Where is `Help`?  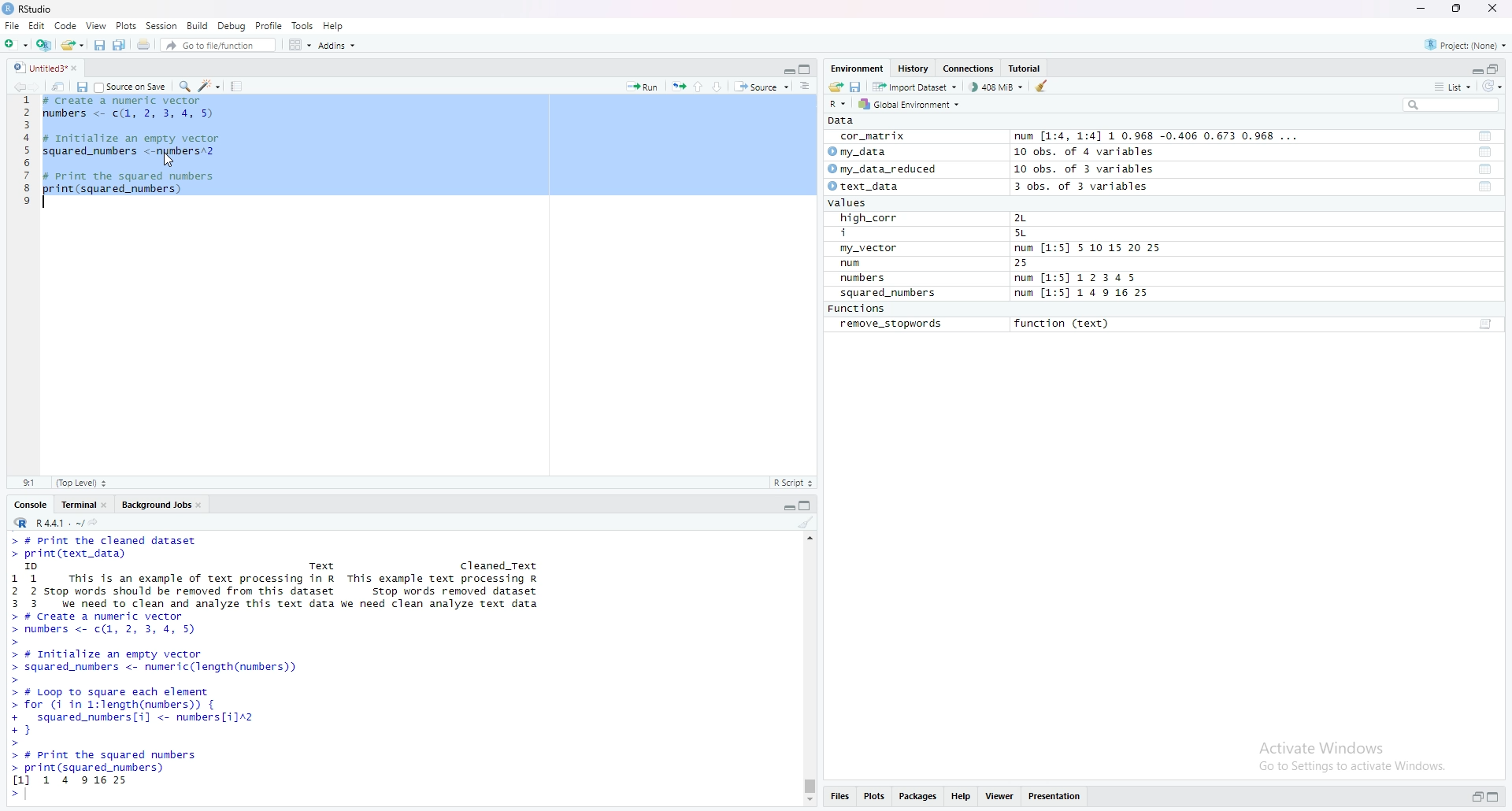
Help is located at coordinates (334, 25).